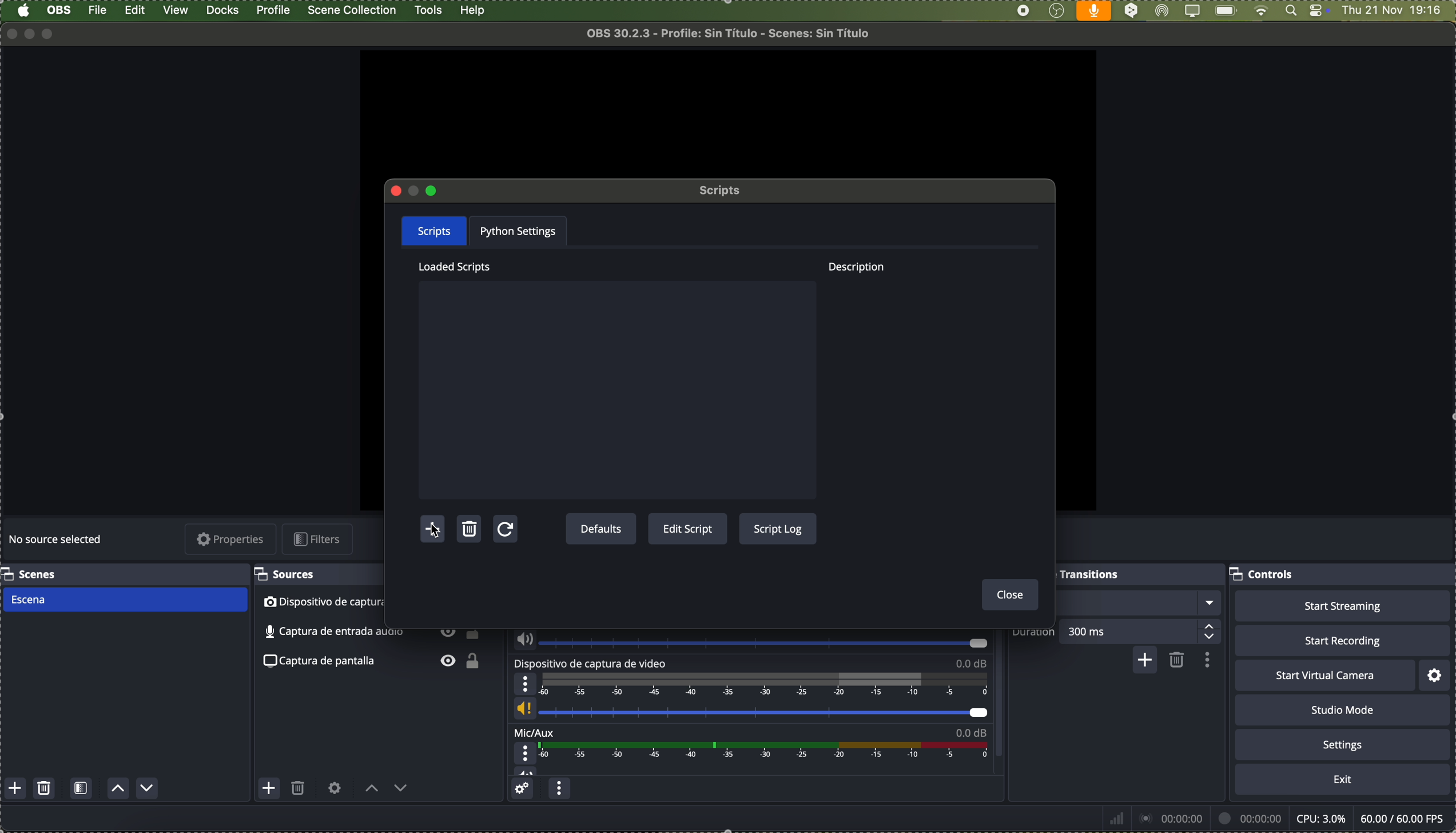 This screenshot has width=1456, height=833. Describe the element at coordinates (1324, 676) in the screenshot. I see `start virtual camera` at that location.